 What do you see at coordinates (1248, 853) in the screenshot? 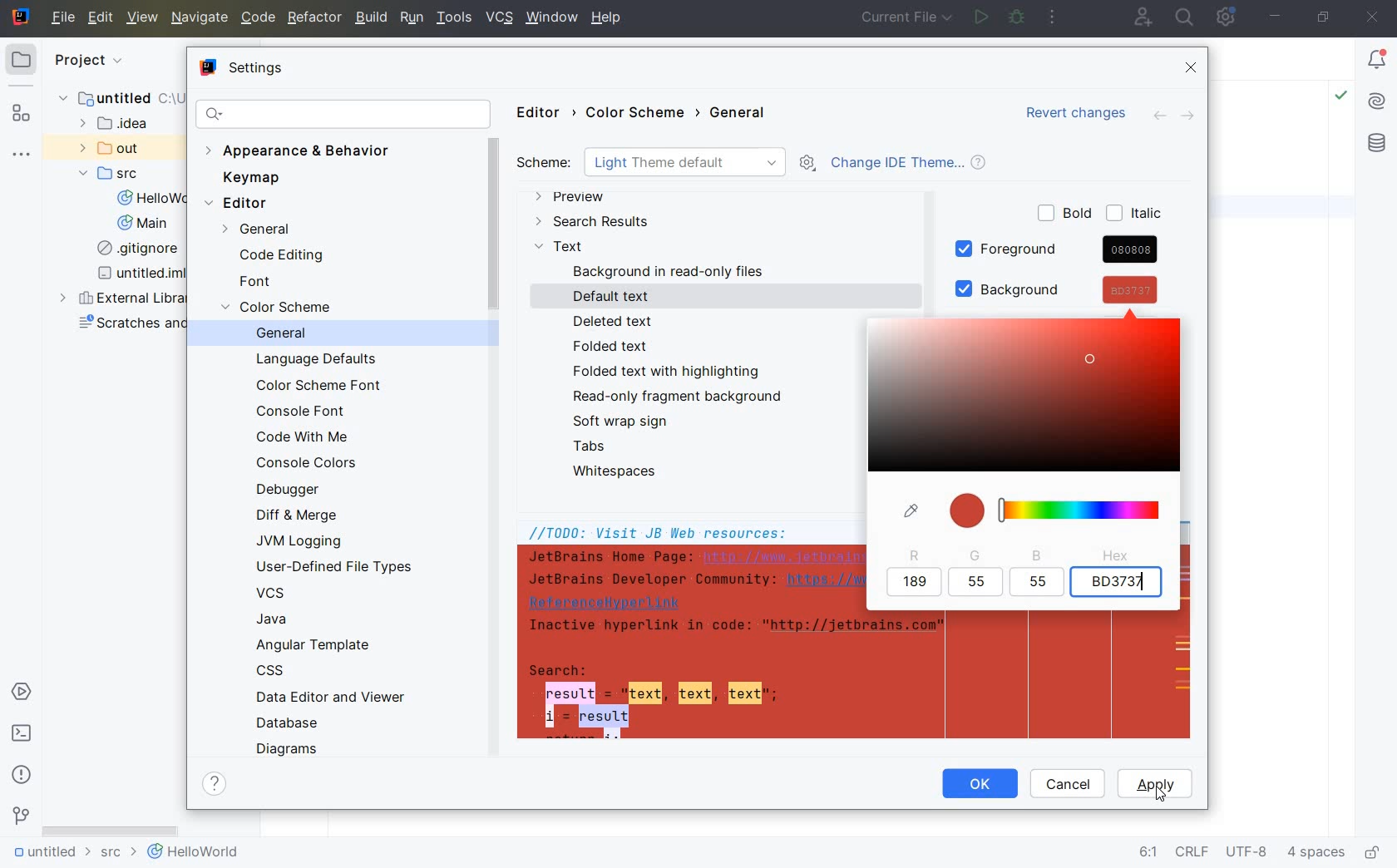
I see `file encoding` at bounding box center [1248, 853].